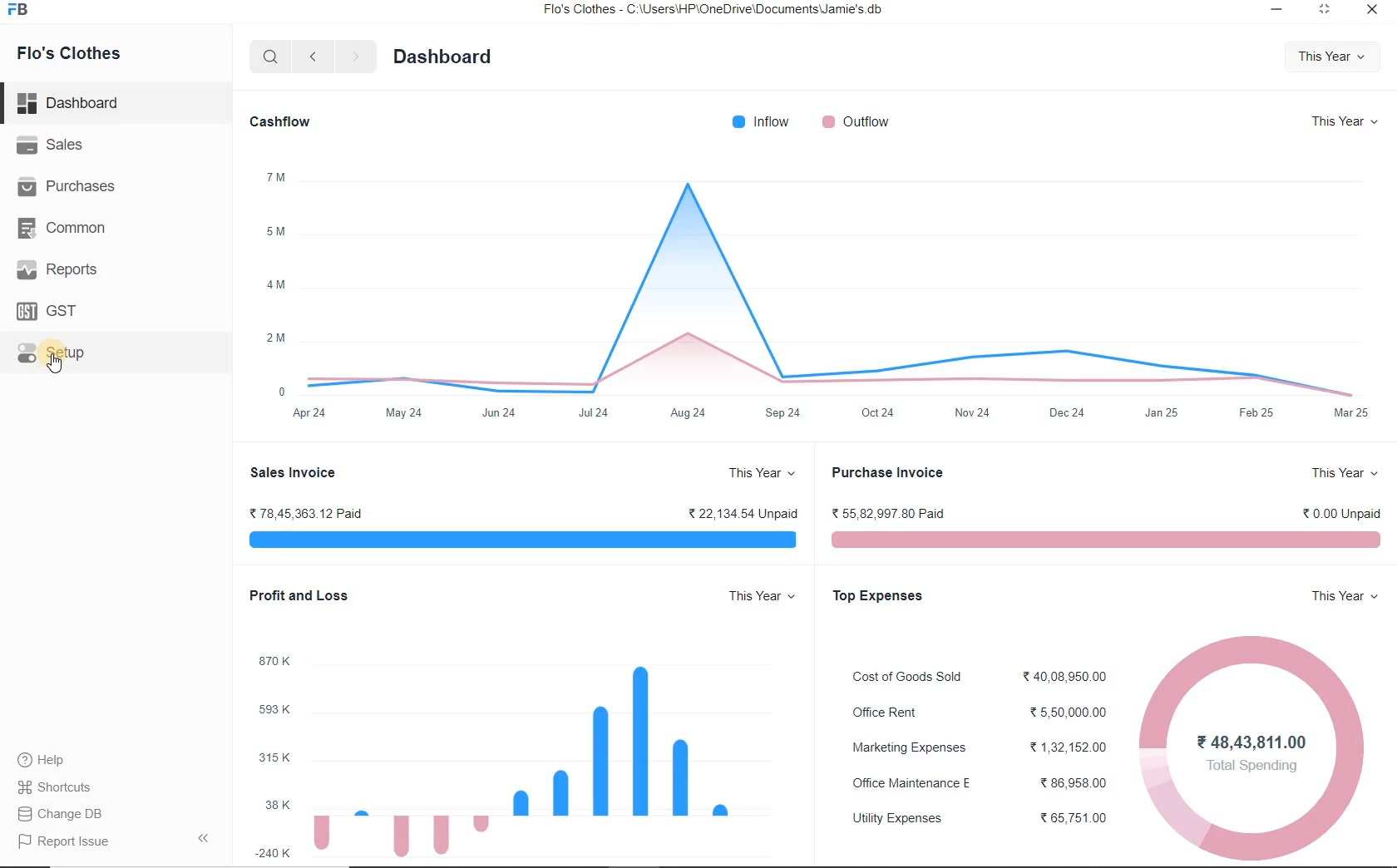 The height and width of the screenshot is (868, 1397). I want to click on bar, so click(525, 540).